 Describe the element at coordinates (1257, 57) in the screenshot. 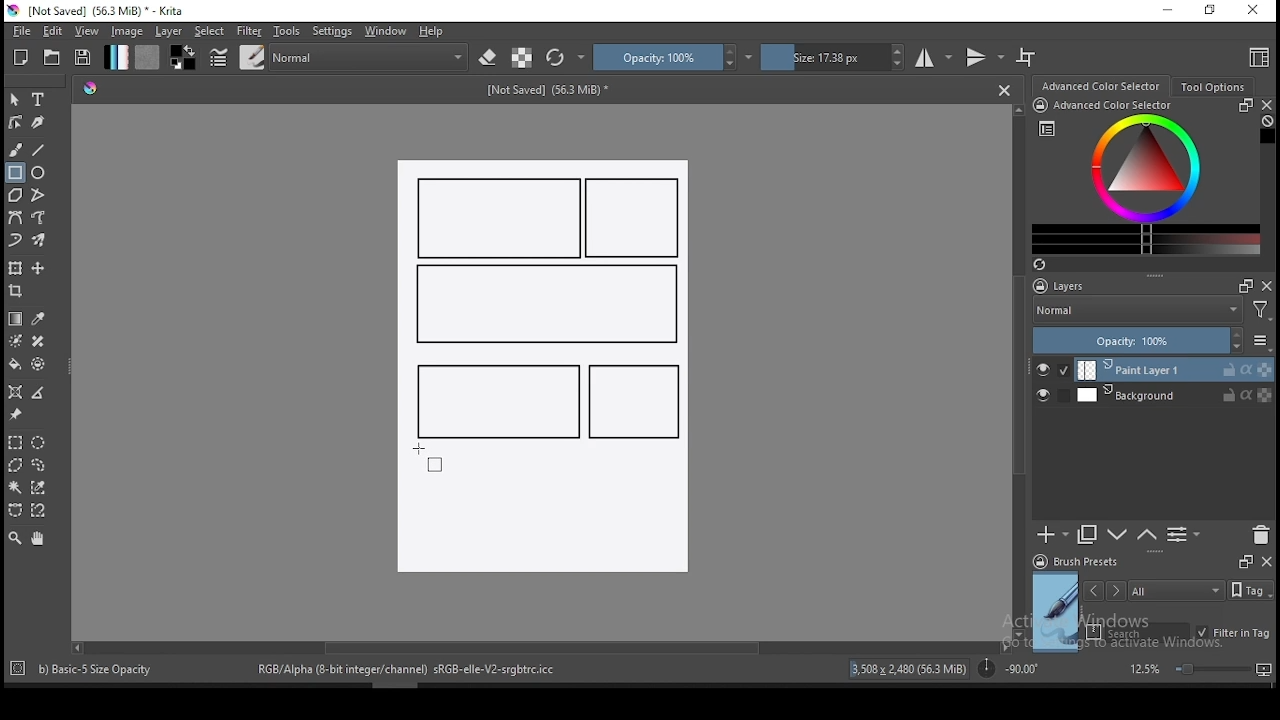

I see `choose workspace` at that location.